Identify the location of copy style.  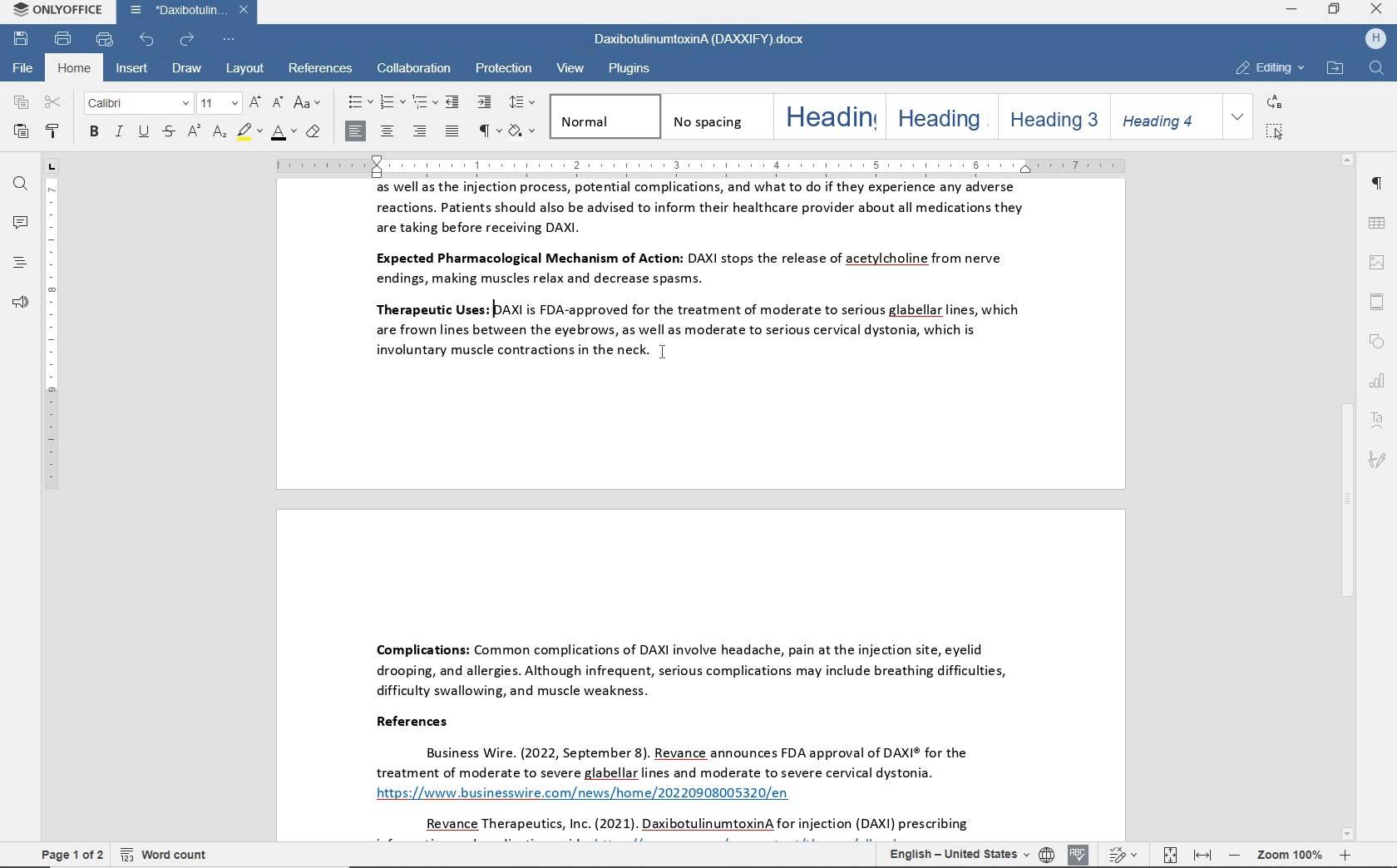
(55, 133).